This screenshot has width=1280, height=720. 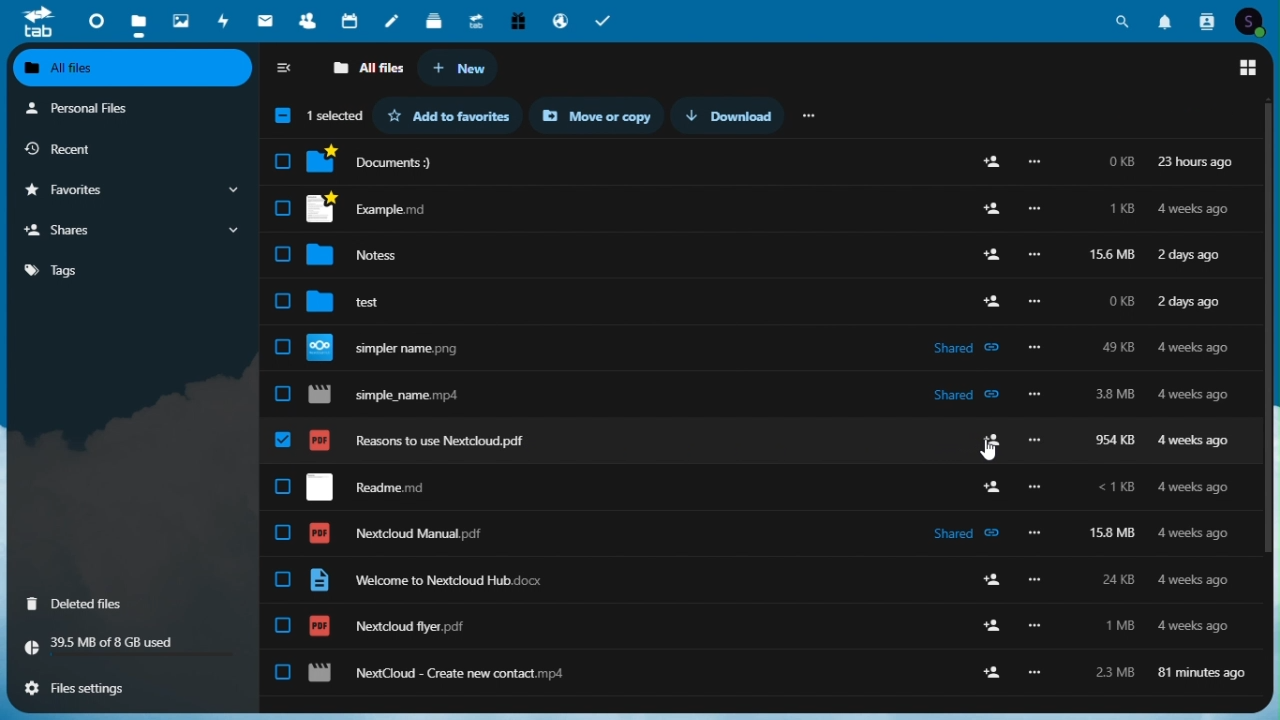 What do you see at coordinates (422, 440) in the screenshot?
I see `reasons to use nextcloud.pdf` at bounding box center [422, 440].